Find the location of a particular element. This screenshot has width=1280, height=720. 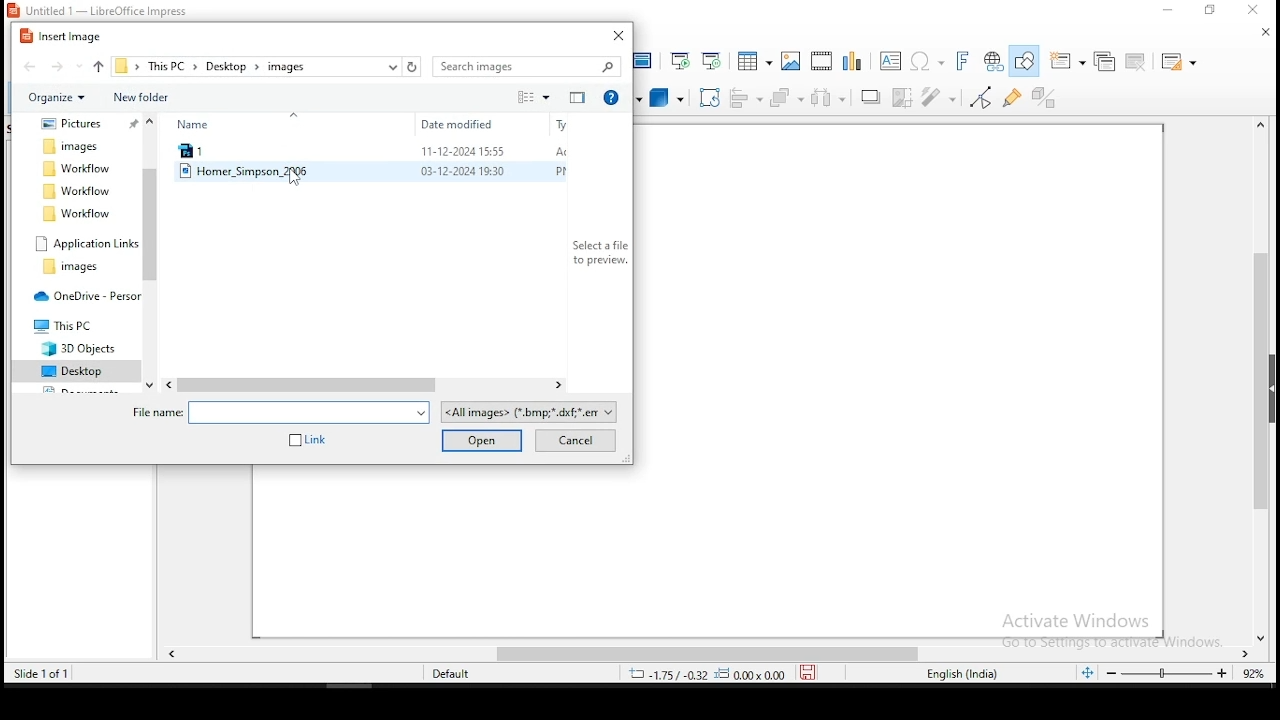

toggle point edit mode is located at coordinates (982, 95).